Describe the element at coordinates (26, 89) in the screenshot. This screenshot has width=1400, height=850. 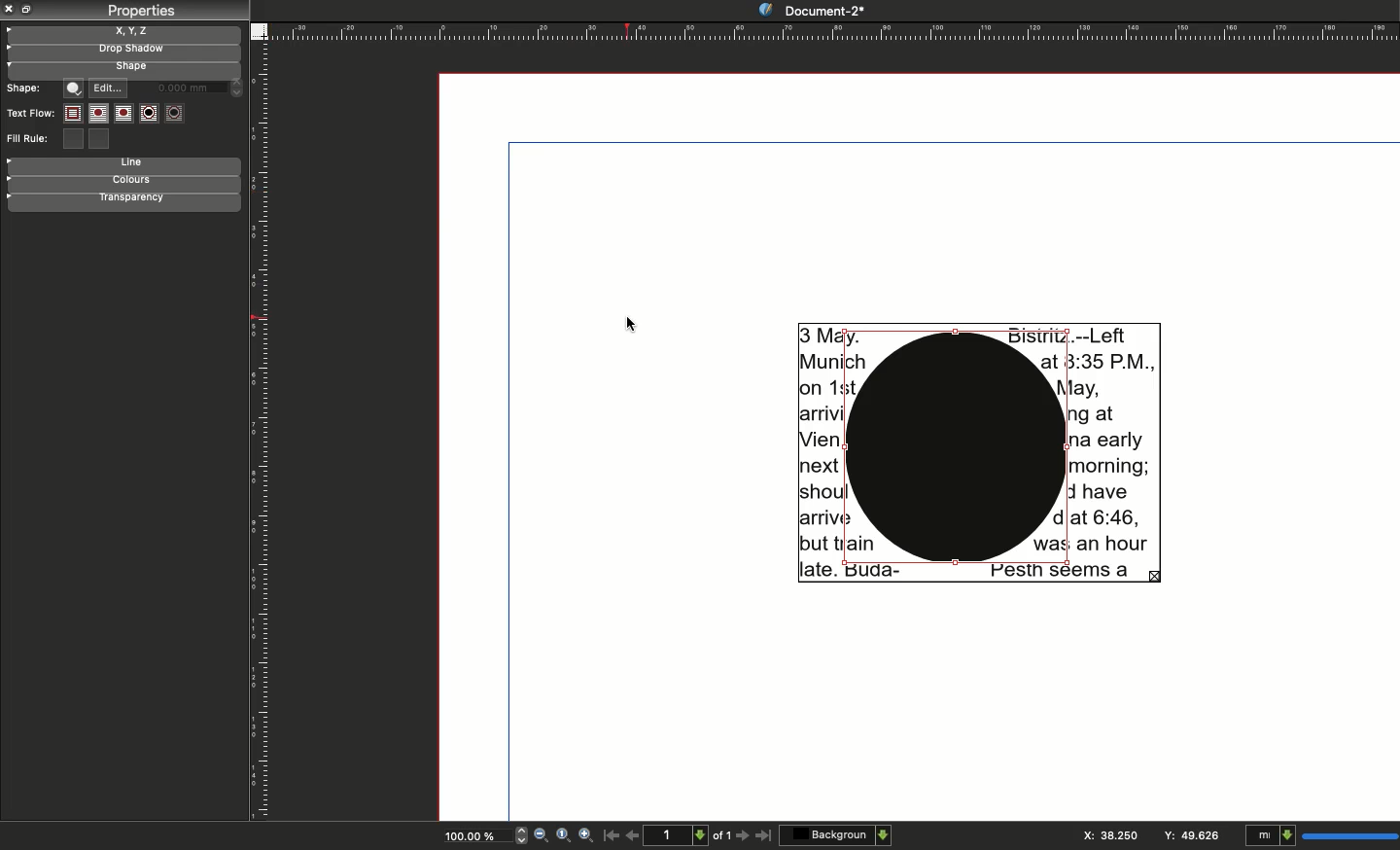
I see `Shape` at that location.